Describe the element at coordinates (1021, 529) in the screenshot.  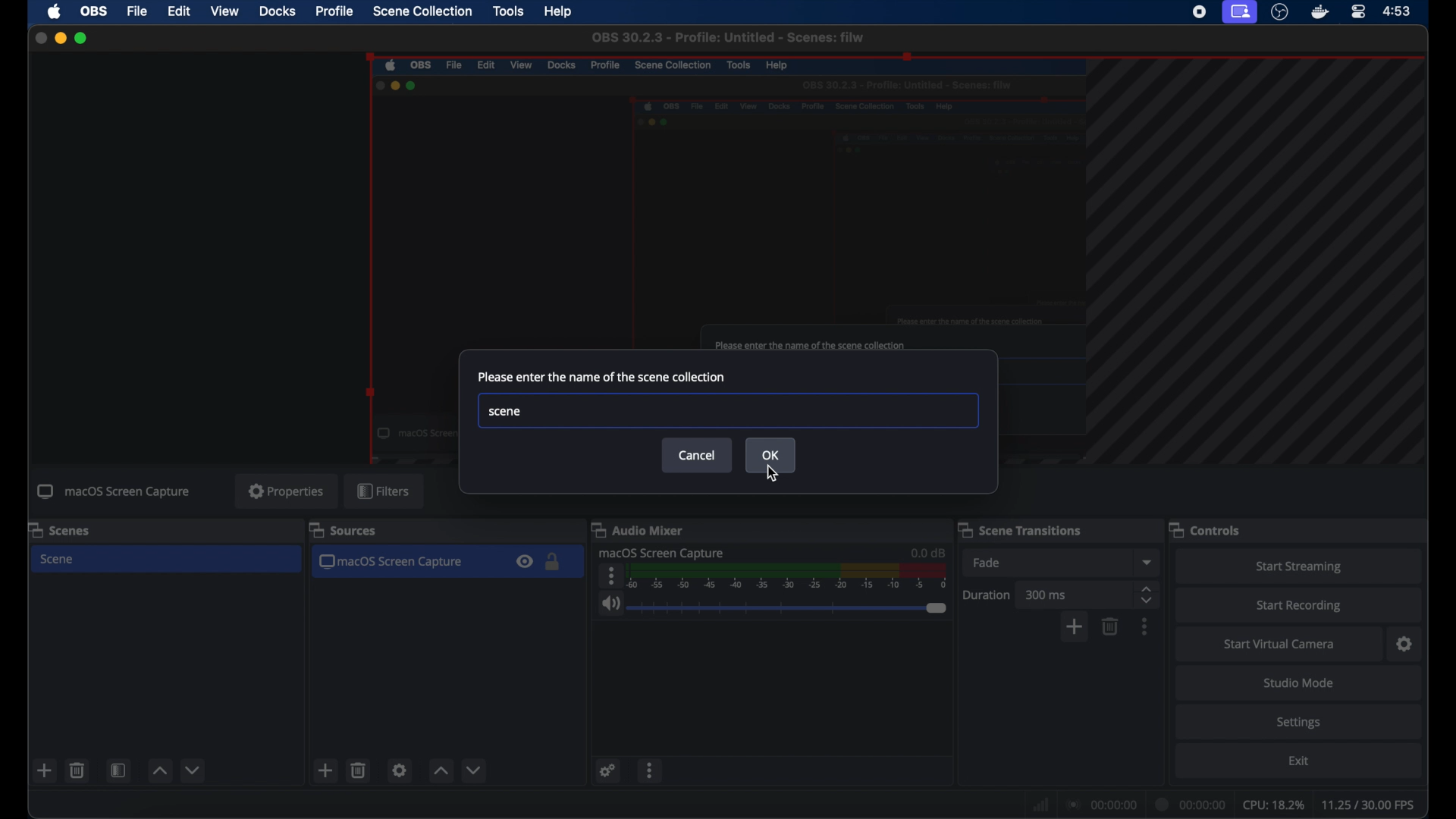
I see `scene transitions` at that location.